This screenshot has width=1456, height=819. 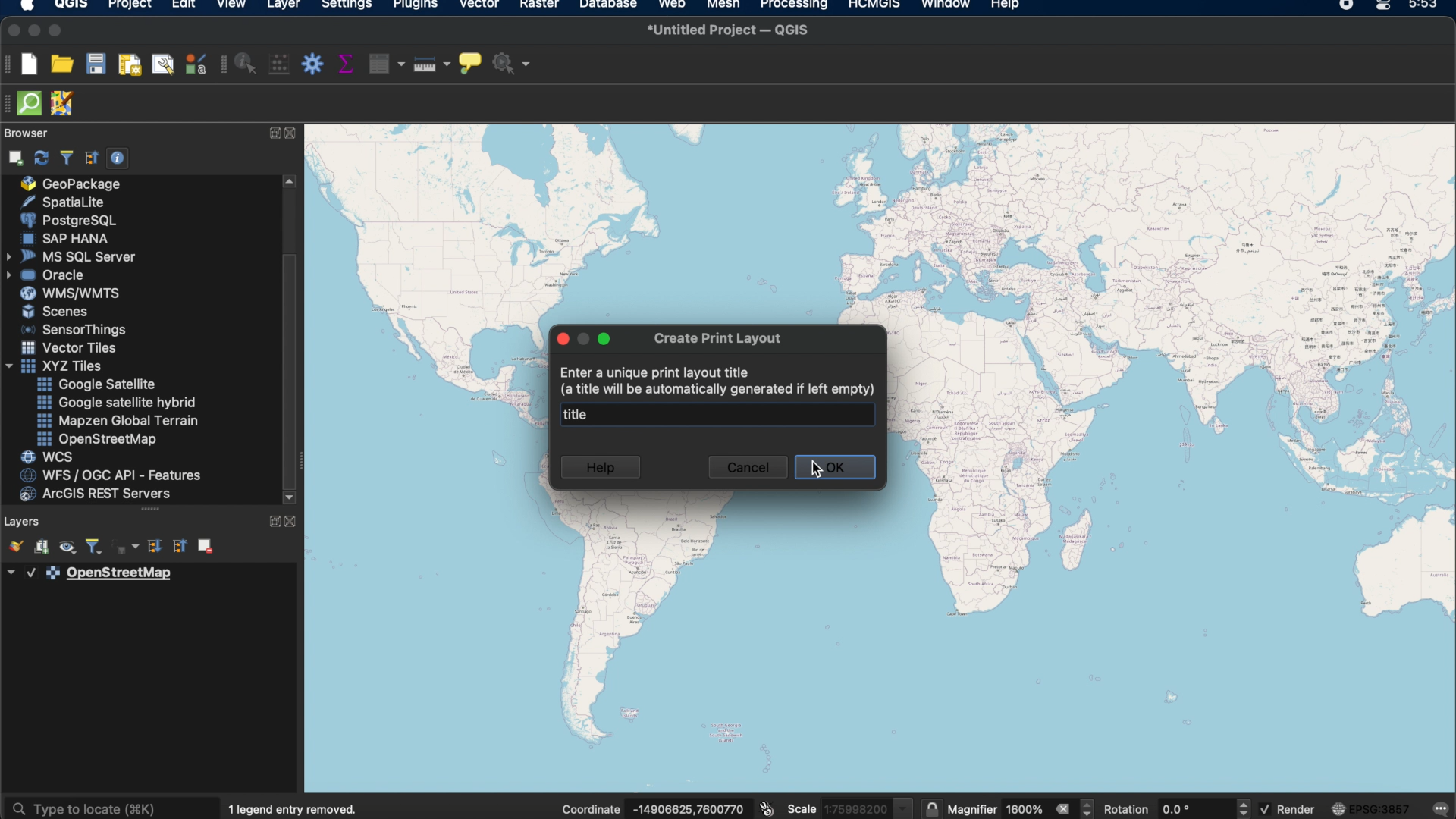 What do you see at coordinates (386, 64) in the screenshot?
I see `open attribute table` at bounding box center [386, 64].